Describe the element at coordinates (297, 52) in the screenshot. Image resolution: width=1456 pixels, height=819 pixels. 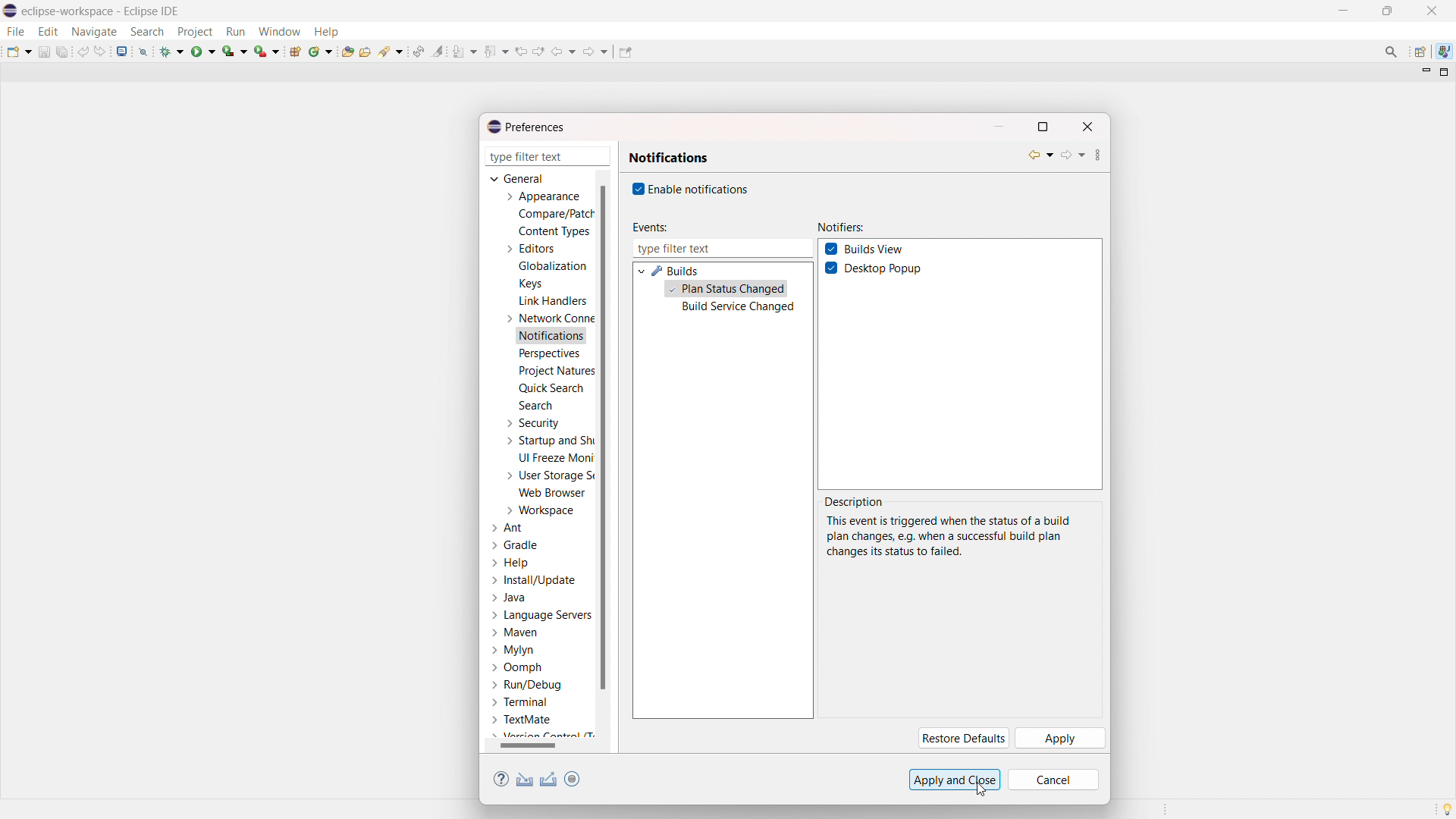
I see `new java project` at that location.